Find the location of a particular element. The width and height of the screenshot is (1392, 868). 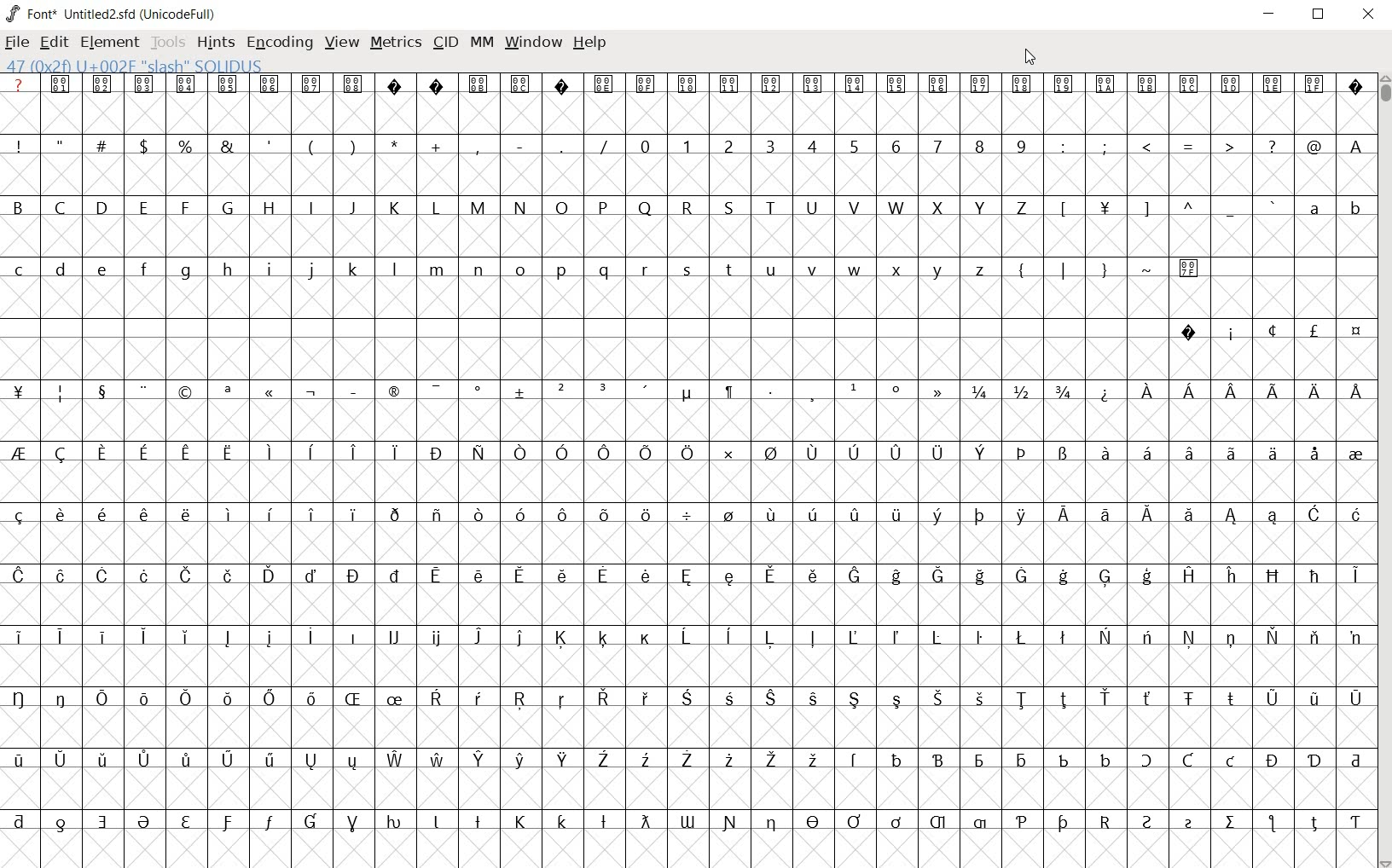

empty cells is located at coordinates (687, 789).